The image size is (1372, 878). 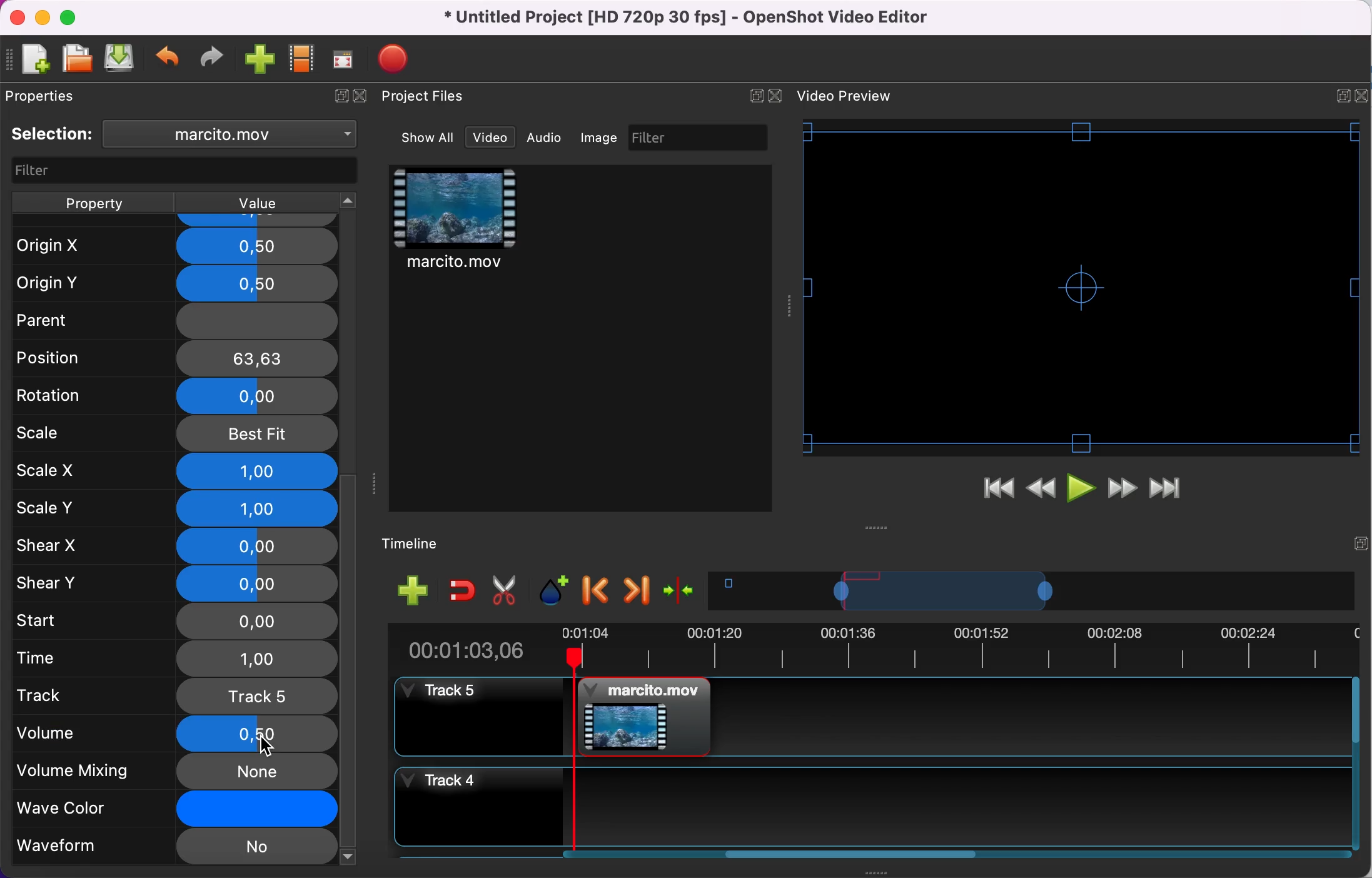 I want to click on volume mixing none, so click(x=175, y=772).